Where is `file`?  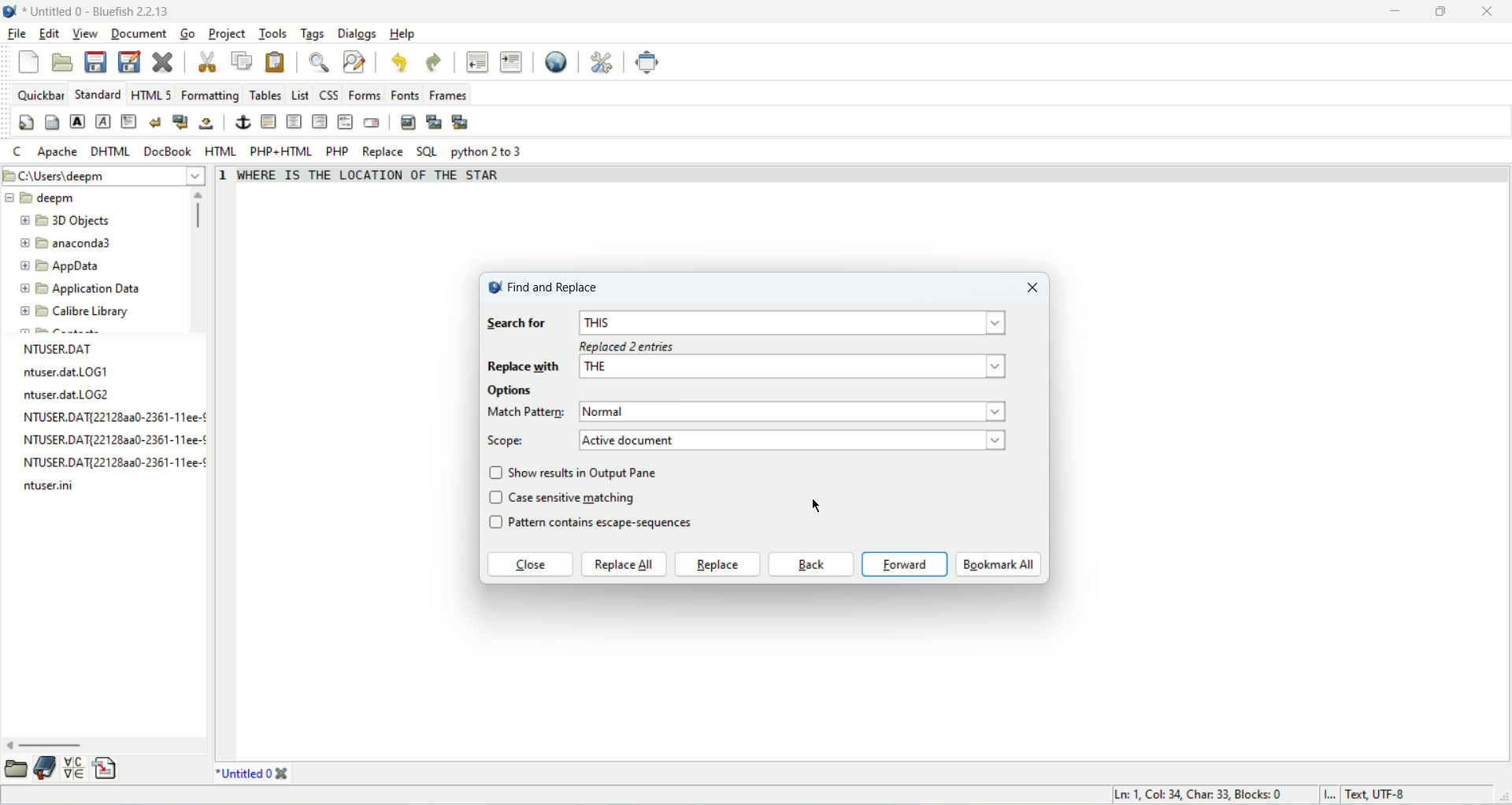 file is located at coordinates (15, 33).